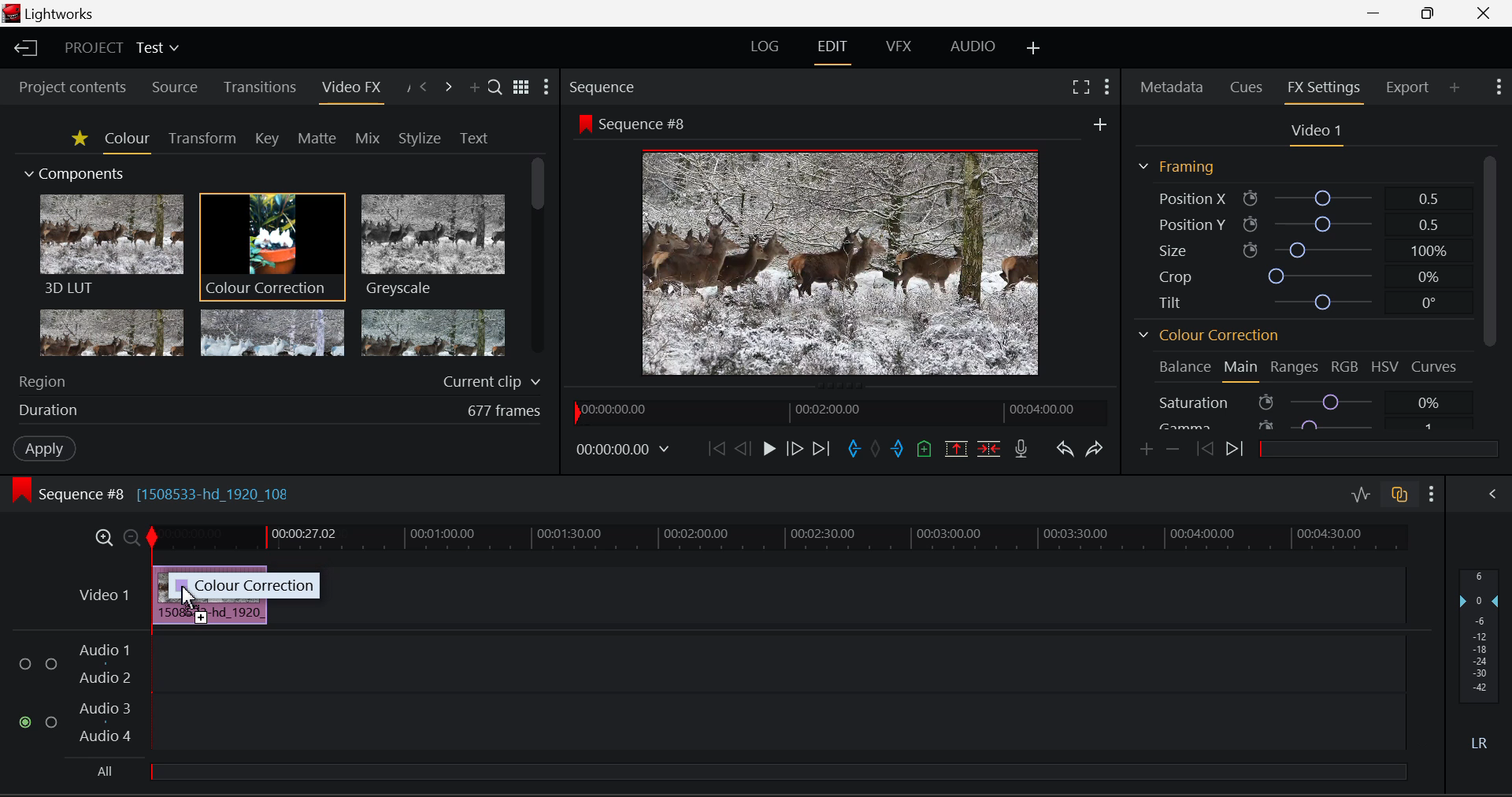 The image size is (1512, 797). I want to click on Key, so click(268, 139).